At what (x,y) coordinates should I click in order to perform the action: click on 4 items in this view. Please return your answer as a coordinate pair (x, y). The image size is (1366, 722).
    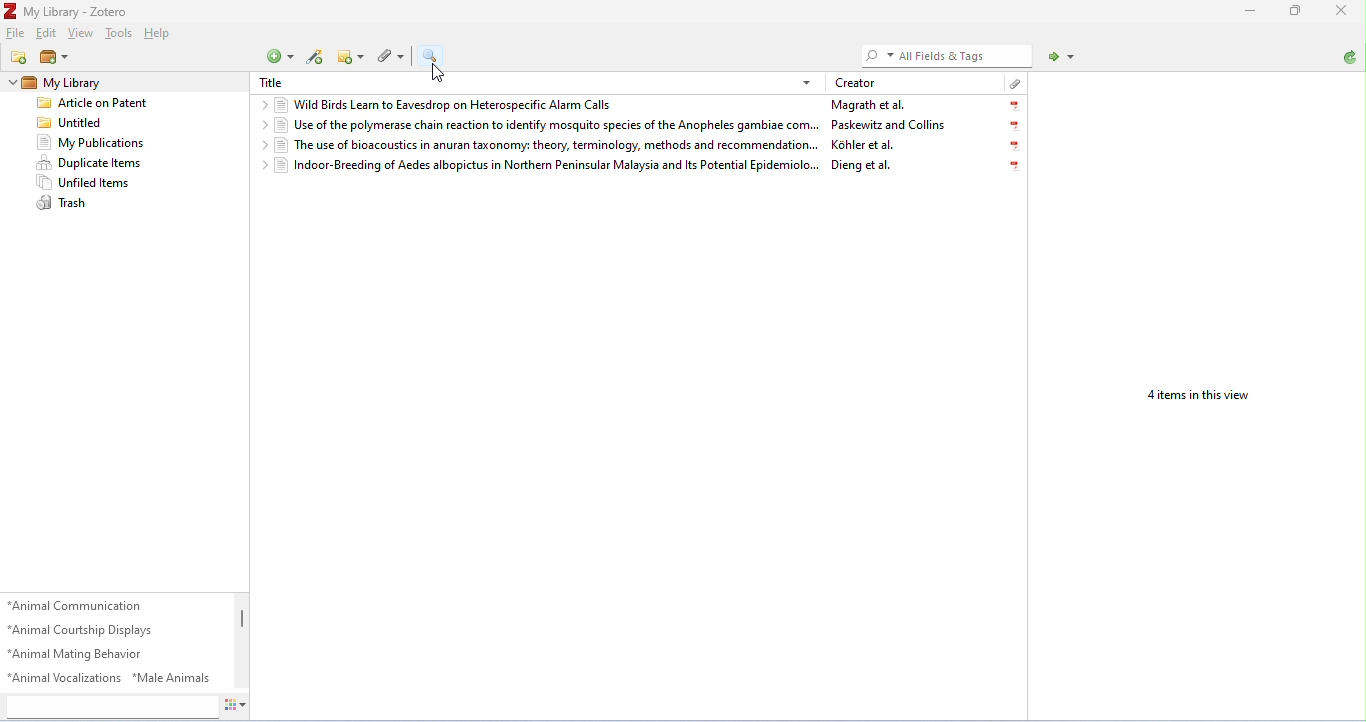
    Looking at the image, I should click on (1195, 397).